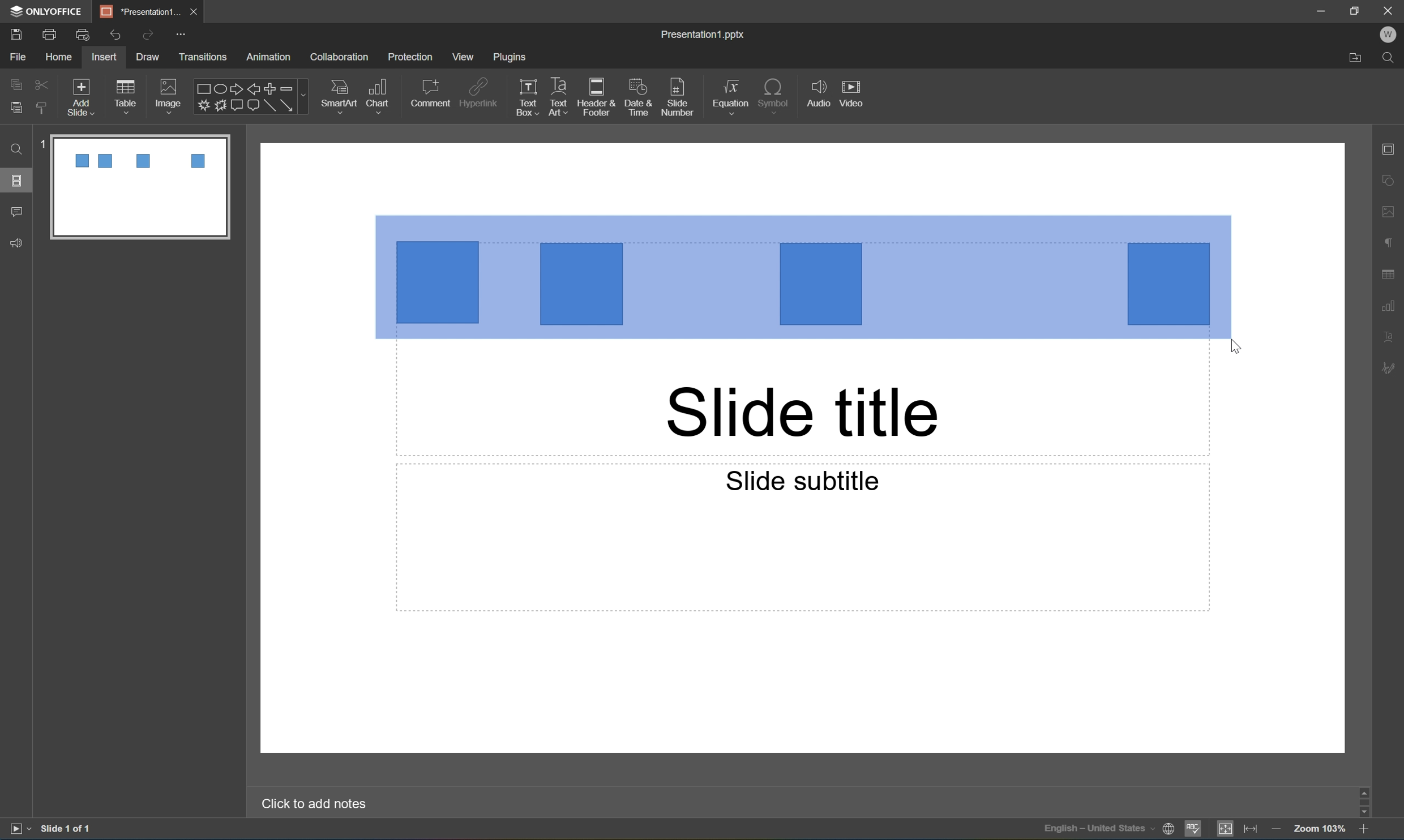  Describe the element at coordinates (15, 83) in the screenshot. I see `copy` at that location.